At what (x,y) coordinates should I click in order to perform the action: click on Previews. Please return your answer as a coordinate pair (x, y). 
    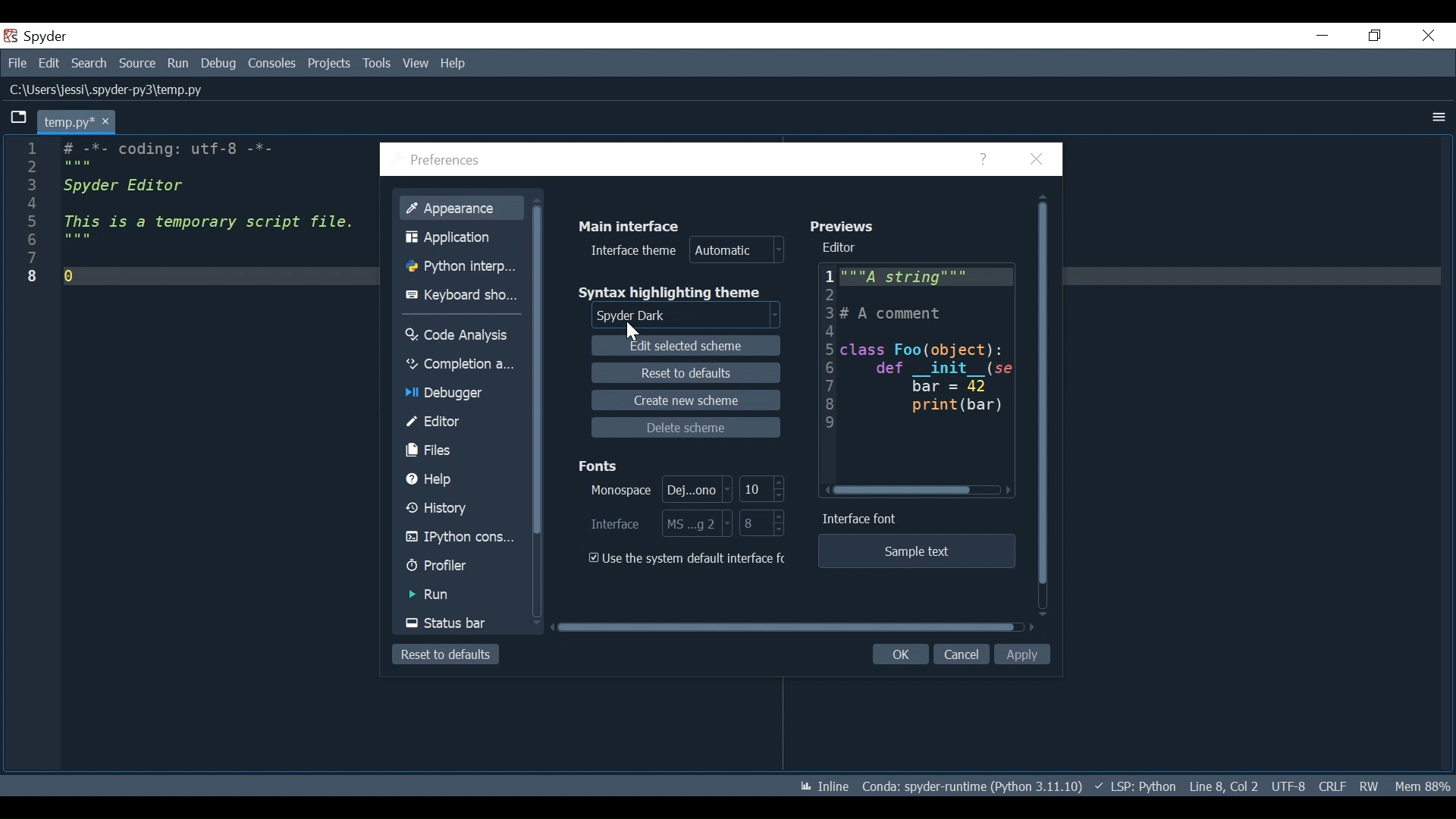
    Looking at the image, I should click on (843, 226).